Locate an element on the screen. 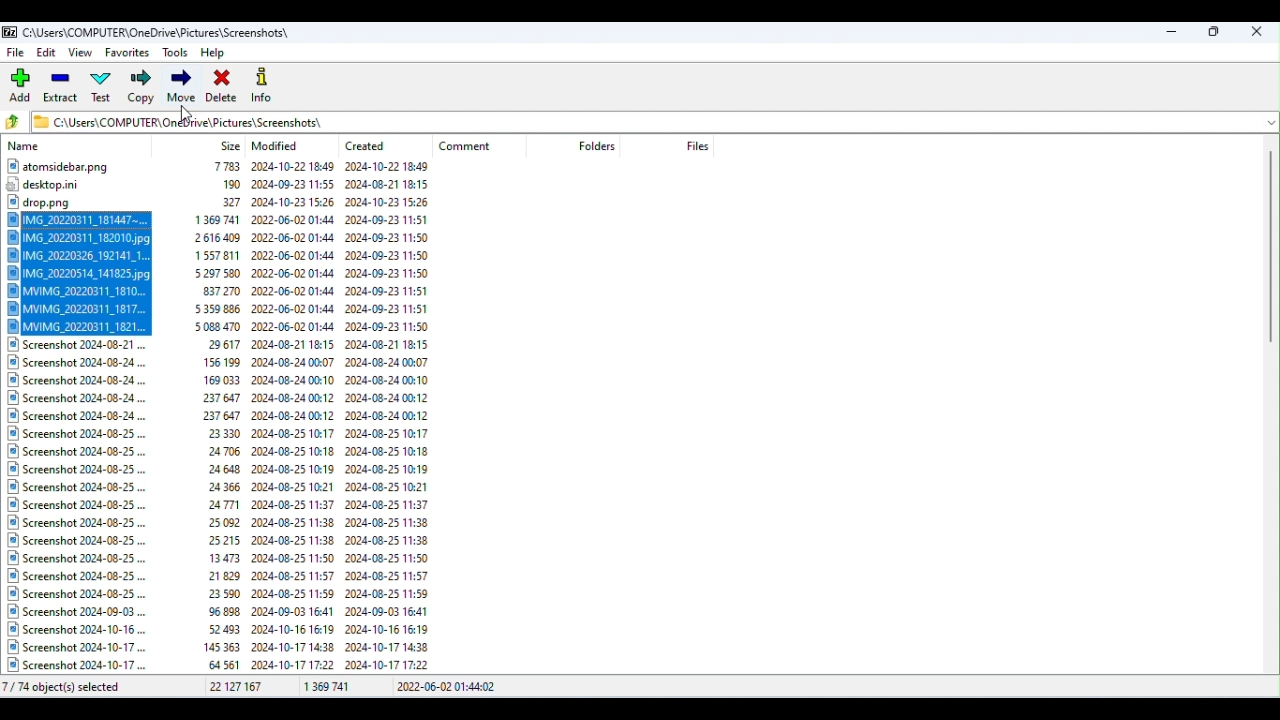 This screenshot has height=720, width=1280. Files is located at coordinates (697, 145).